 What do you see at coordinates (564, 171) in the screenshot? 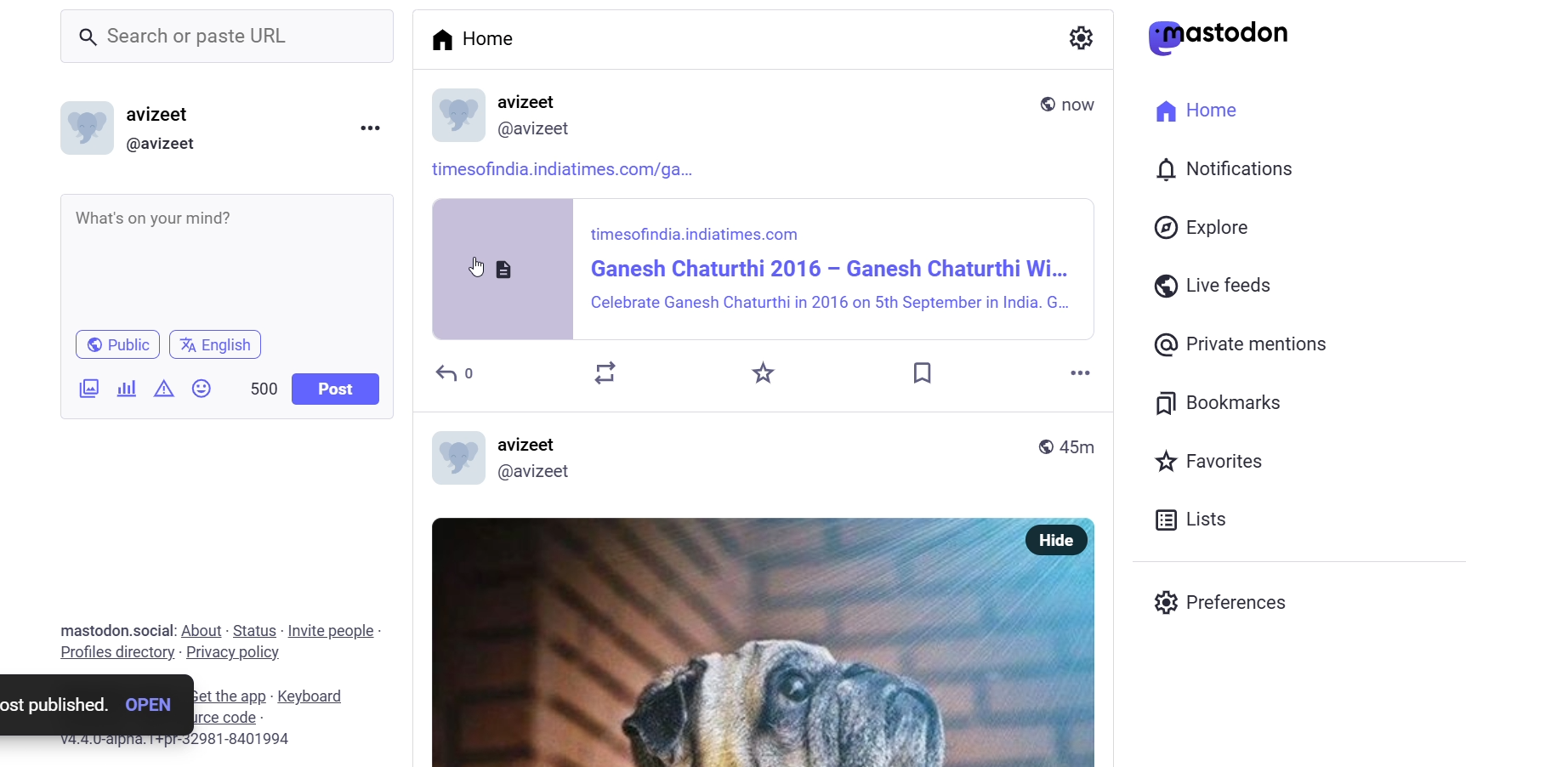
I see `article link` at bounding box center [564, 171].